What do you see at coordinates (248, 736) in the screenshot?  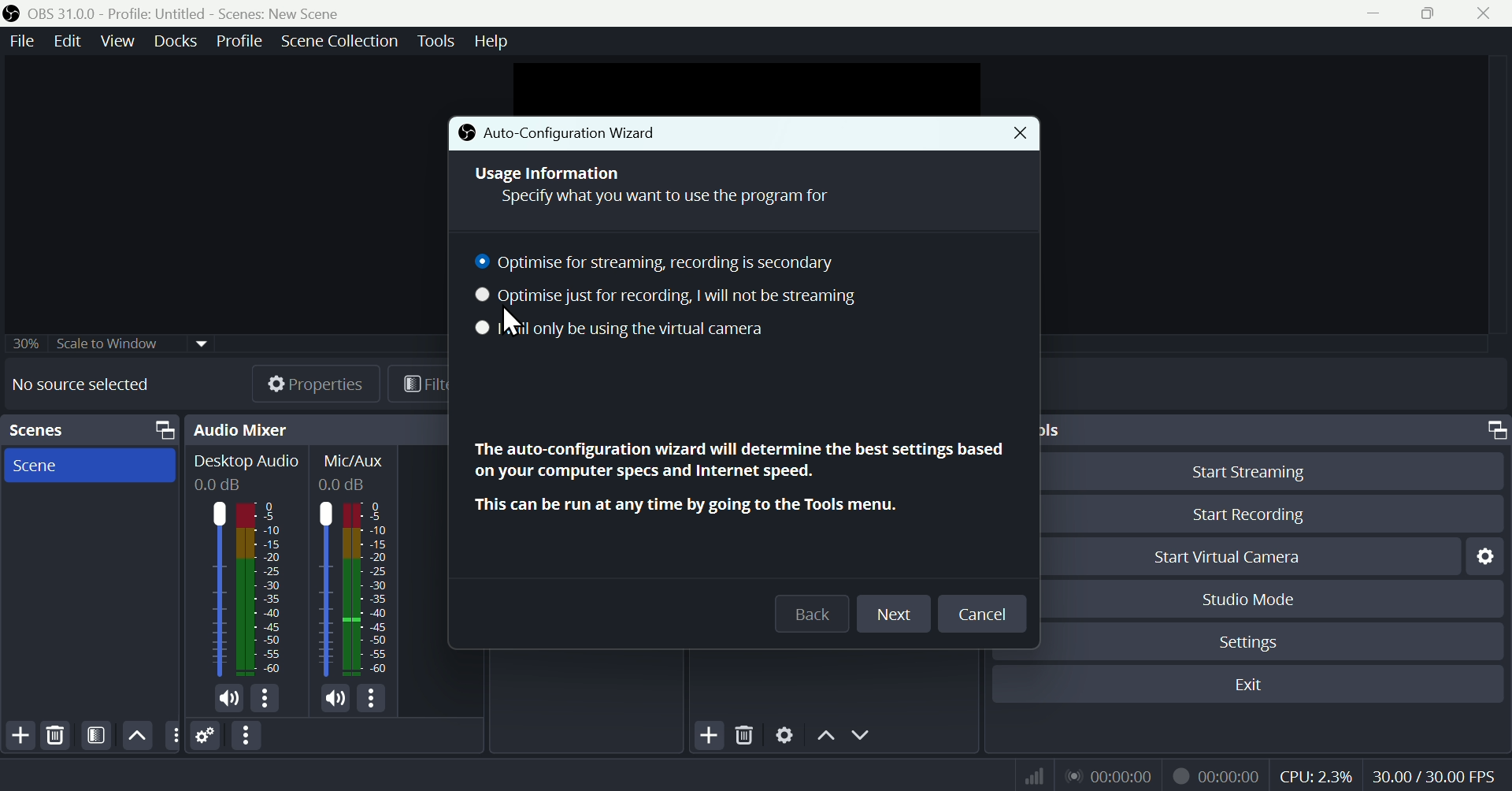 I see `Option` at bounding box center [248, 736].